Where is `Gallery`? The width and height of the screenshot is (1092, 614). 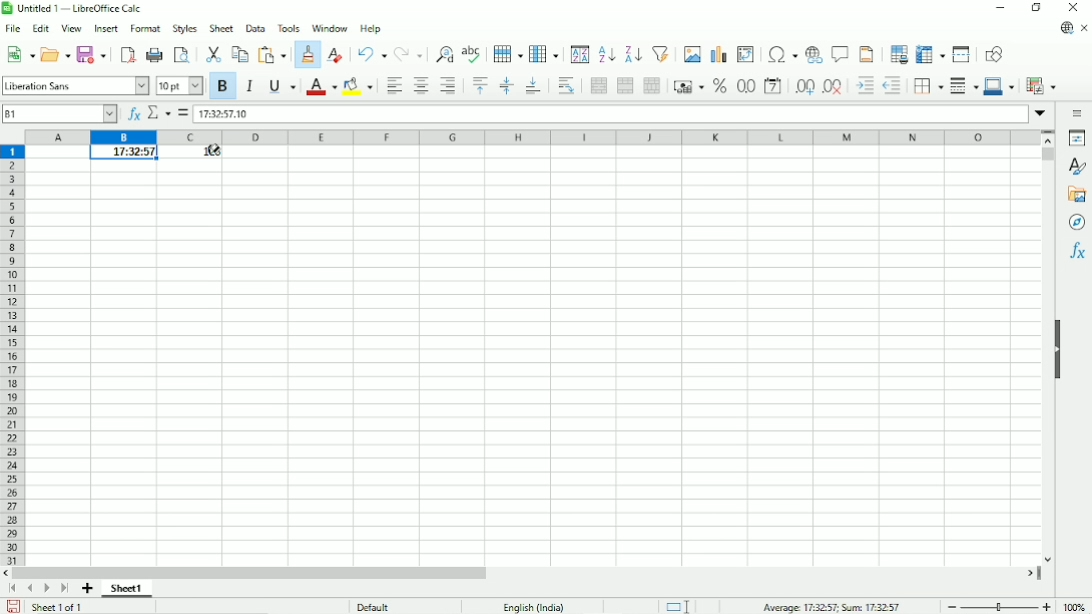 Gallery is located at coordinates (1075, 195).